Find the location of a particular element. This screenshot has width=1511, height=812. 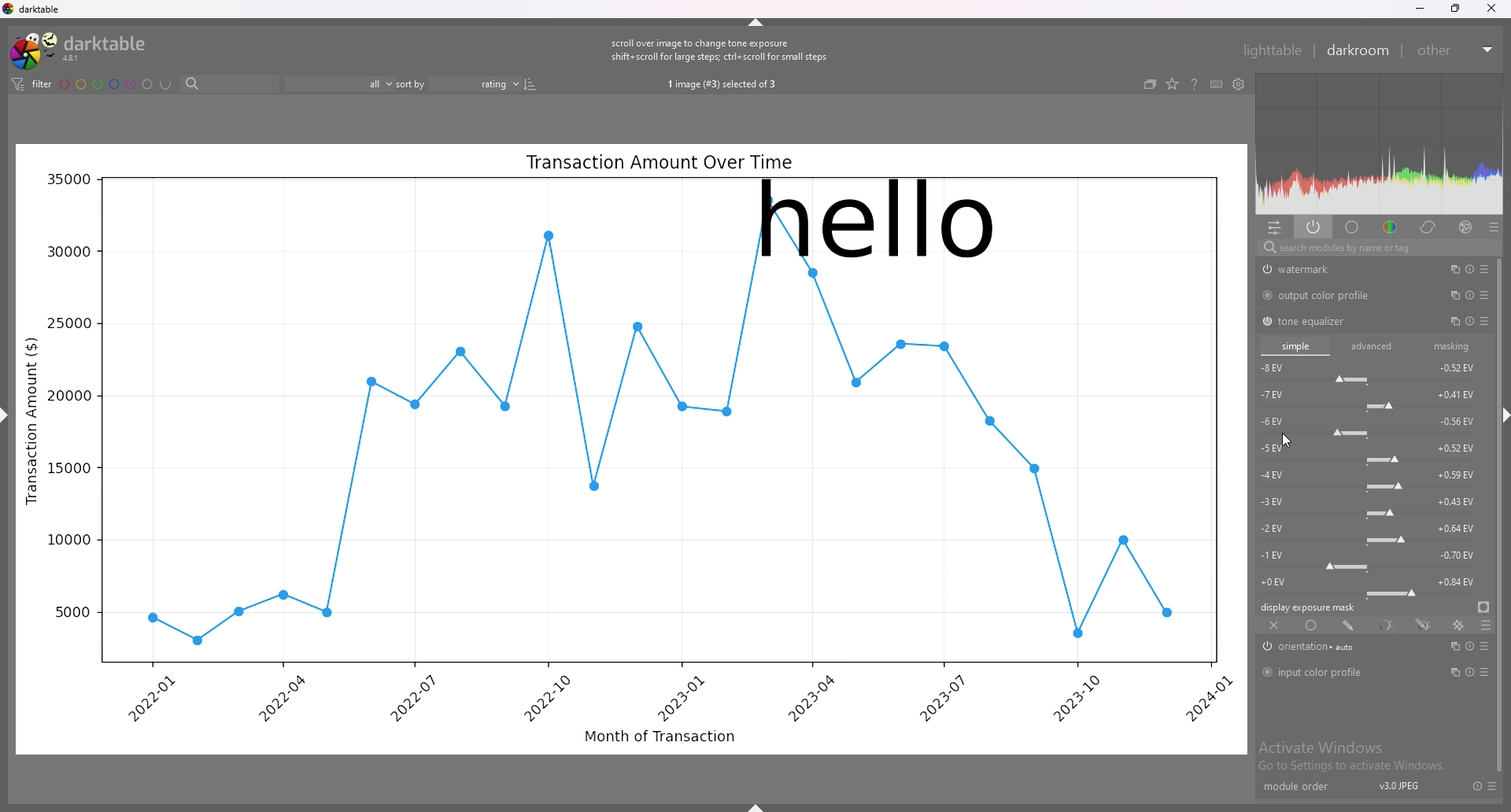

20000 is located at coordinates (68, 396).